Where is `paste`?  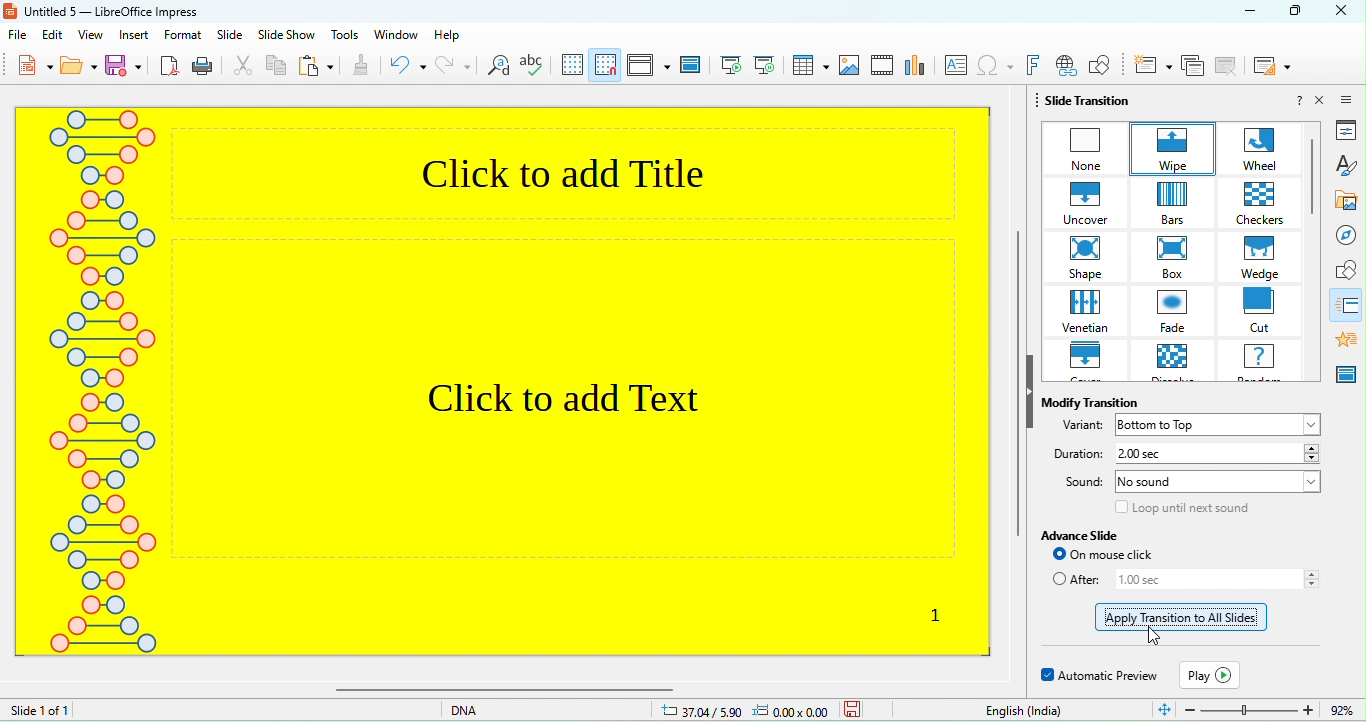
paste is located at coordinates (321, 68).